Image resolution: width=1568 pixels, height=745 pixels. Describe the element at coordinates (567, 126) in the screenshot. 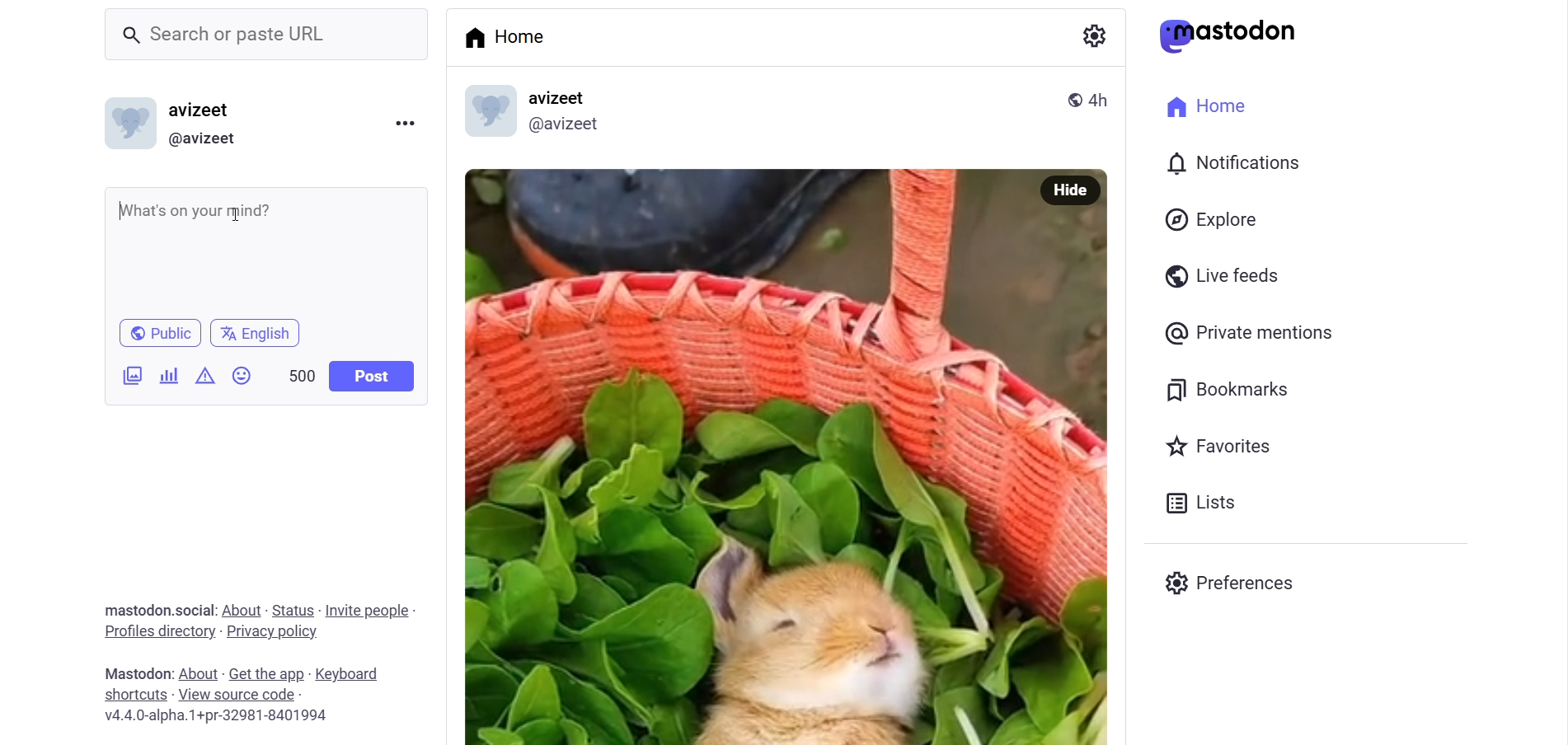

I see `@avizeetl` at that location.